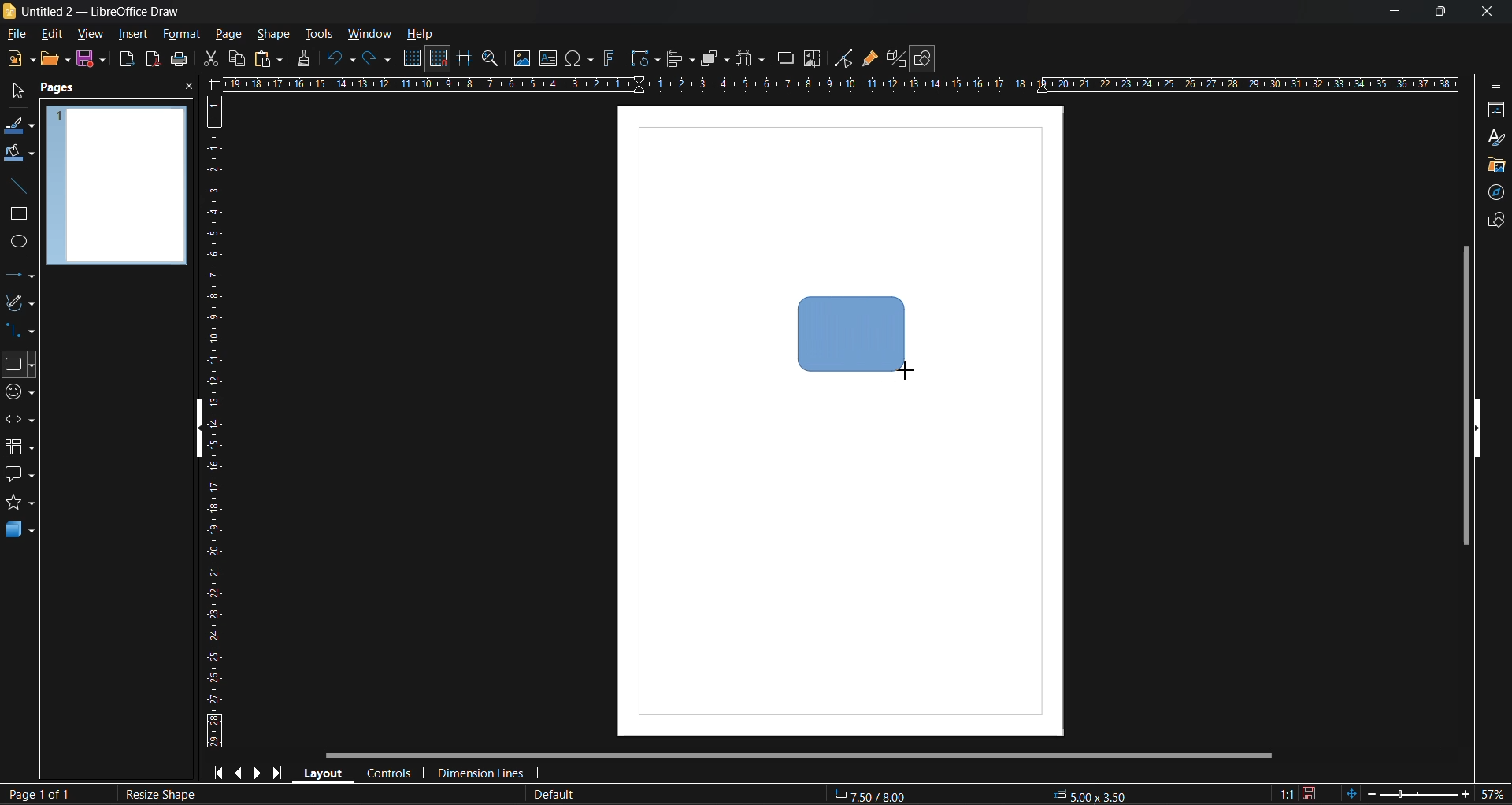 The width and height of the screenshot is (1512, 805). Describe the element at coordinates (439, 59) in the screenshot. I see `snap to grid` at that location.